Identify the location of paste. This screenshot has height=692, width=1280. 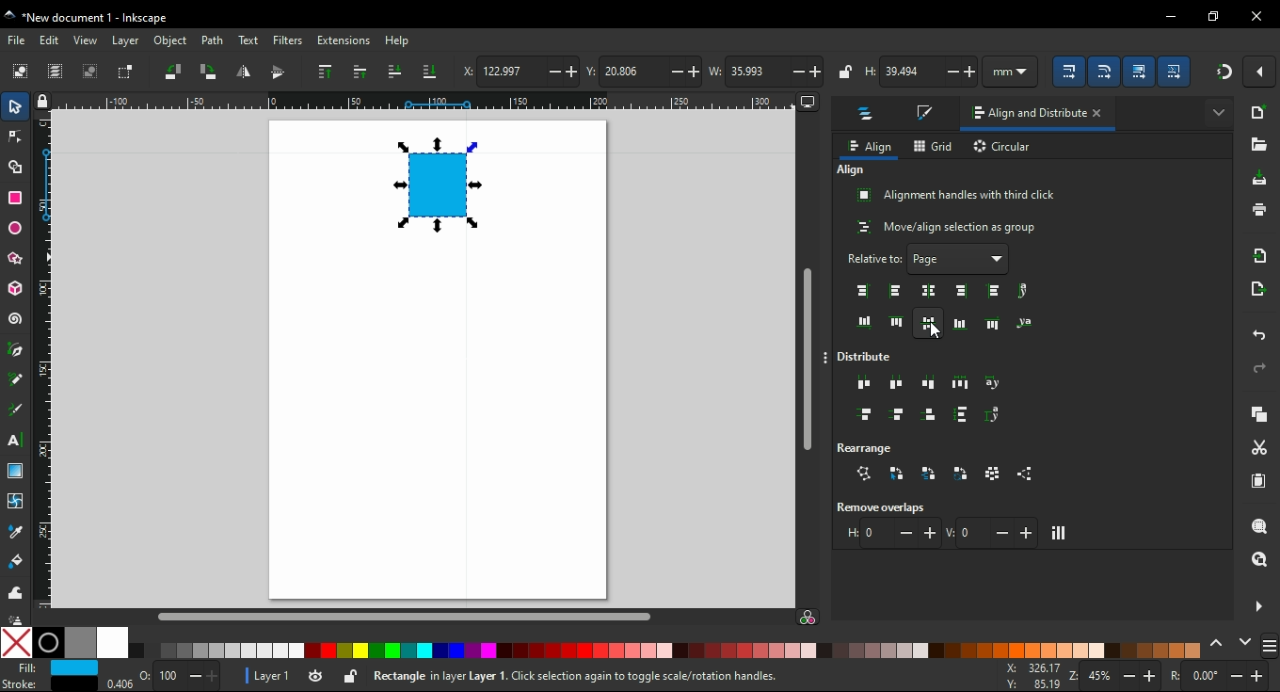
(1261, 481).